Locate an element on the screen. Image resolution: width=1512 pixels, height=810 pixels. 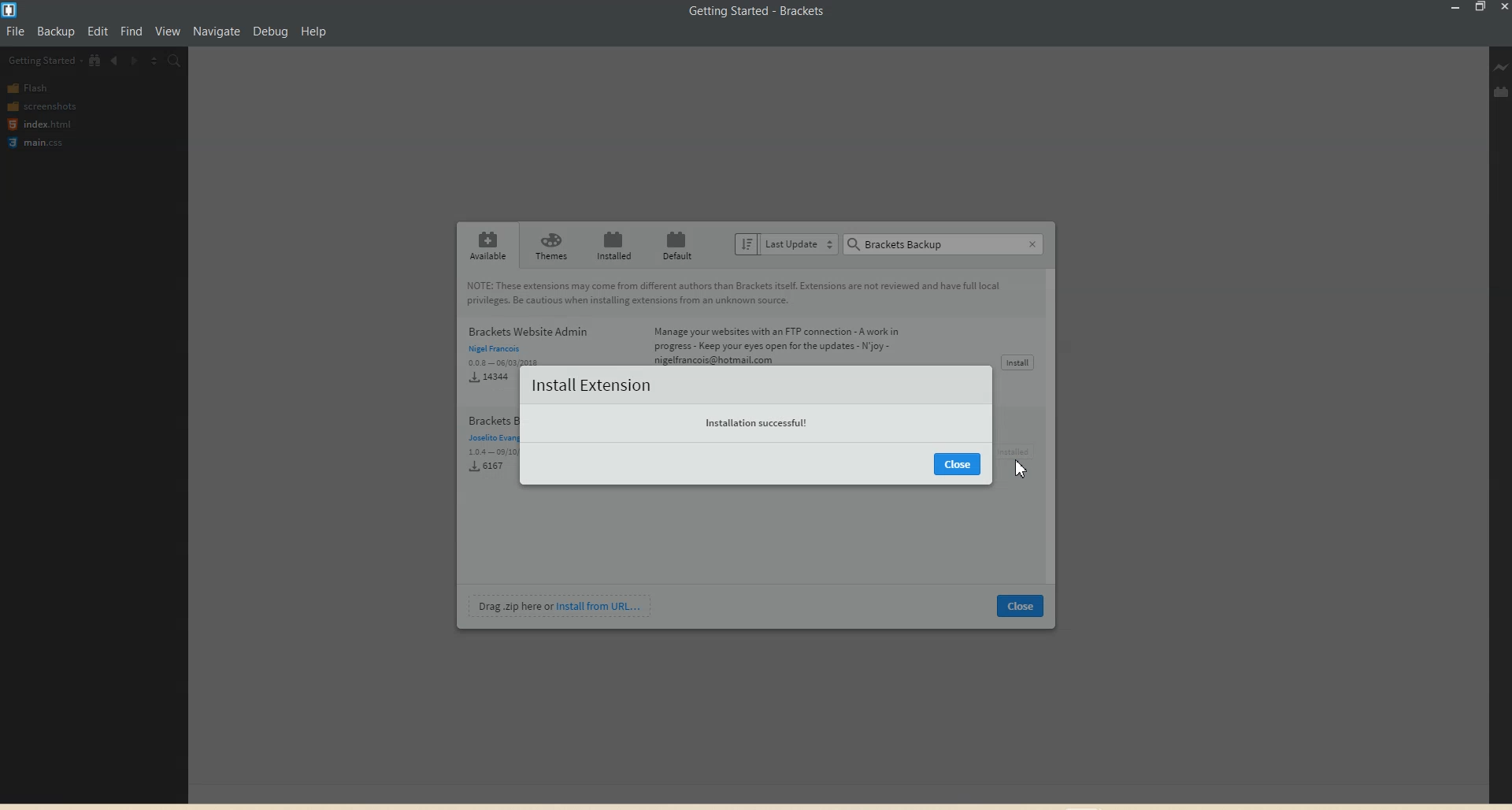
Close is located at coordinates (1021, 606).